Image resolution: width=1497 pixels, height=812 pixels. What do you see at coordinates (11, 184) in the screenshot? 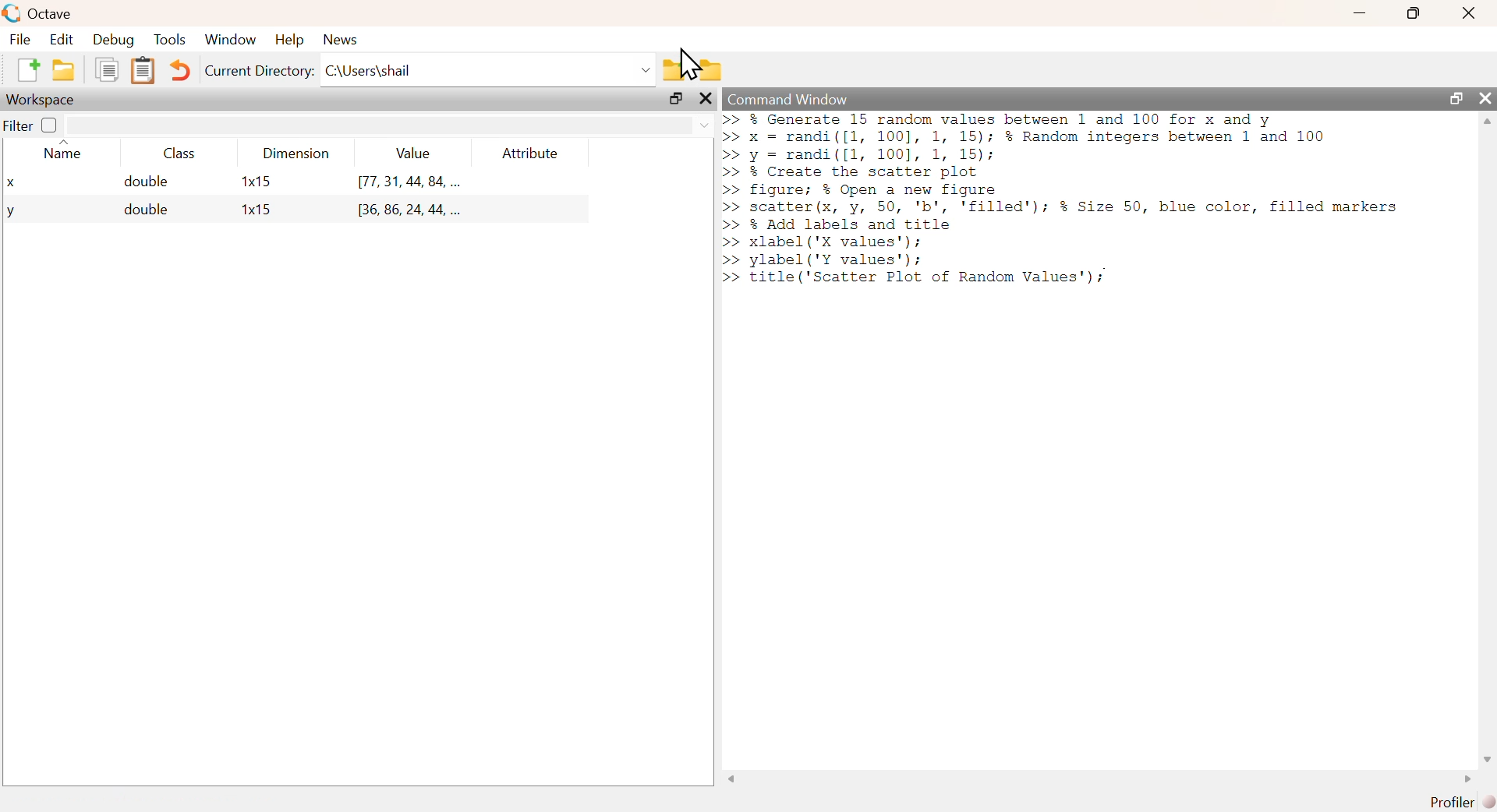
I see `x` at bounding box center [11, 184].